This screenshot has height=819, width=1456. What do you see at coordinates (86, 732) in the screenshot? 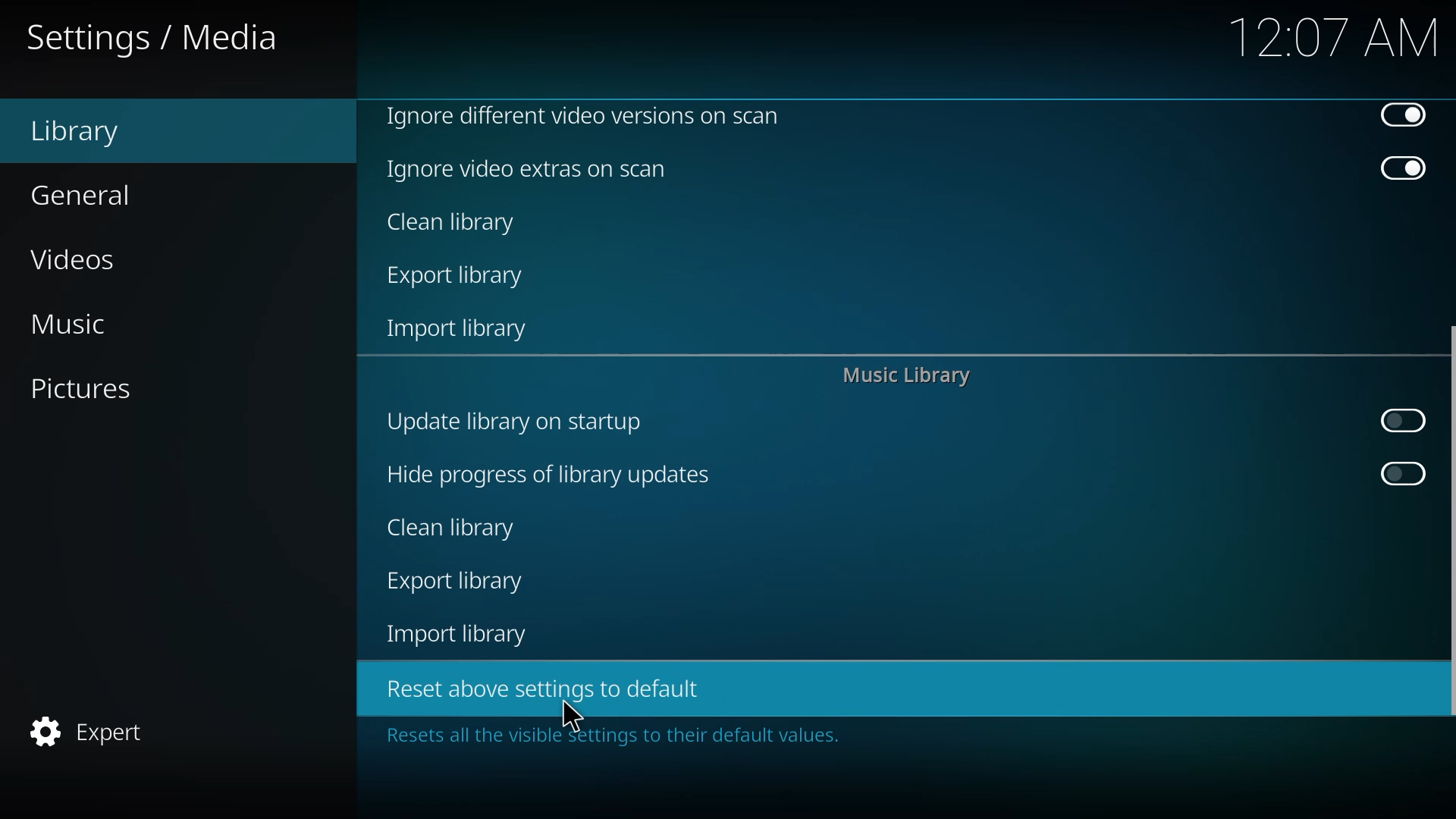
I see `expert` at bounding box center [86, 732].